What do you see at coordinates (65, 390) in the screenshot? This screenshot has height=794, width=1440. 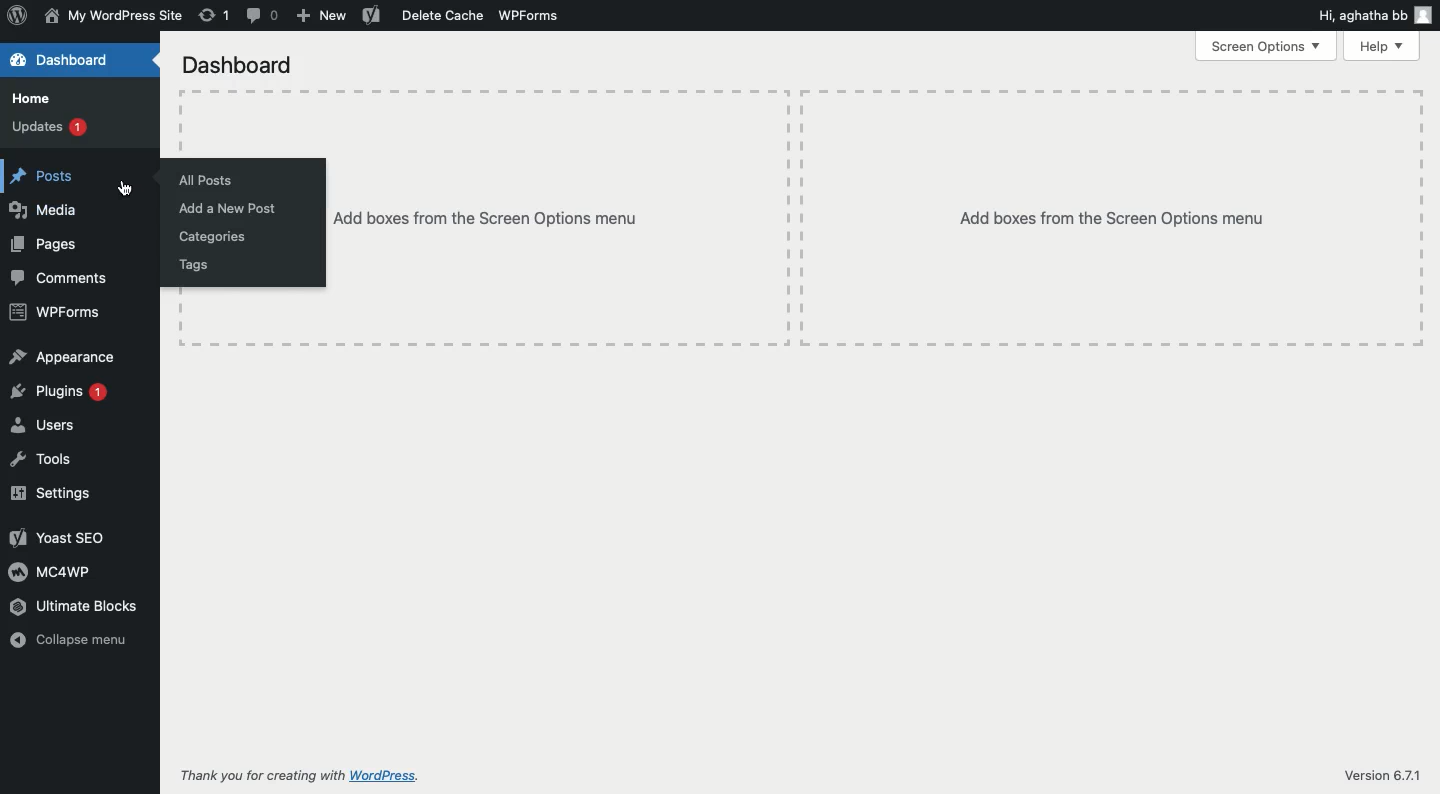 I see `Plugins ` at bounding box center [65, 390].